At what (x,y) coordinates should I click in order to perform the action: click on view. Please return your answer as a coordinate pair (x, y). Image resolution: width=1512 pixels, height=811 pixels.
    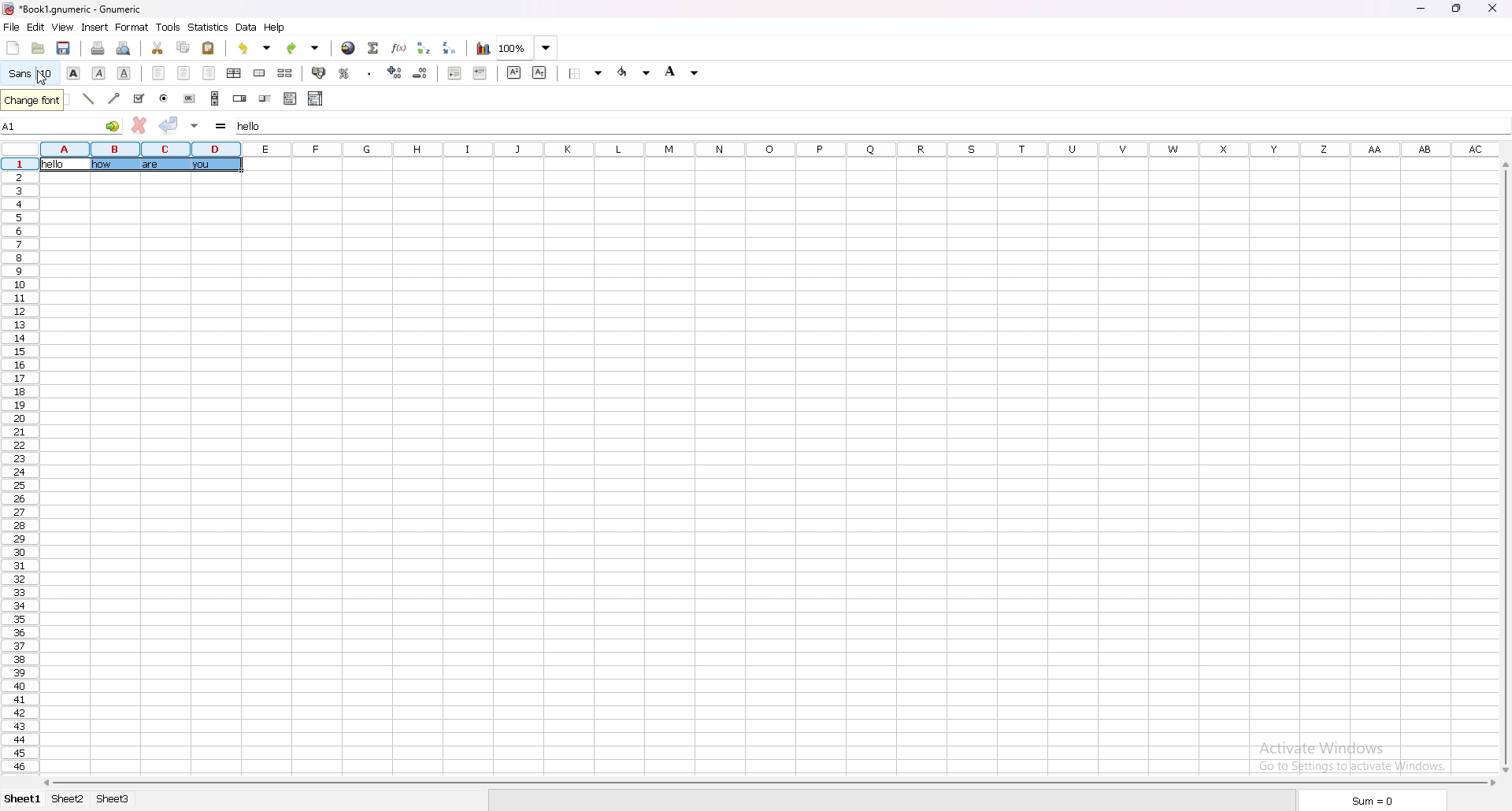
    Looking at the image, I should click on (63, 28).